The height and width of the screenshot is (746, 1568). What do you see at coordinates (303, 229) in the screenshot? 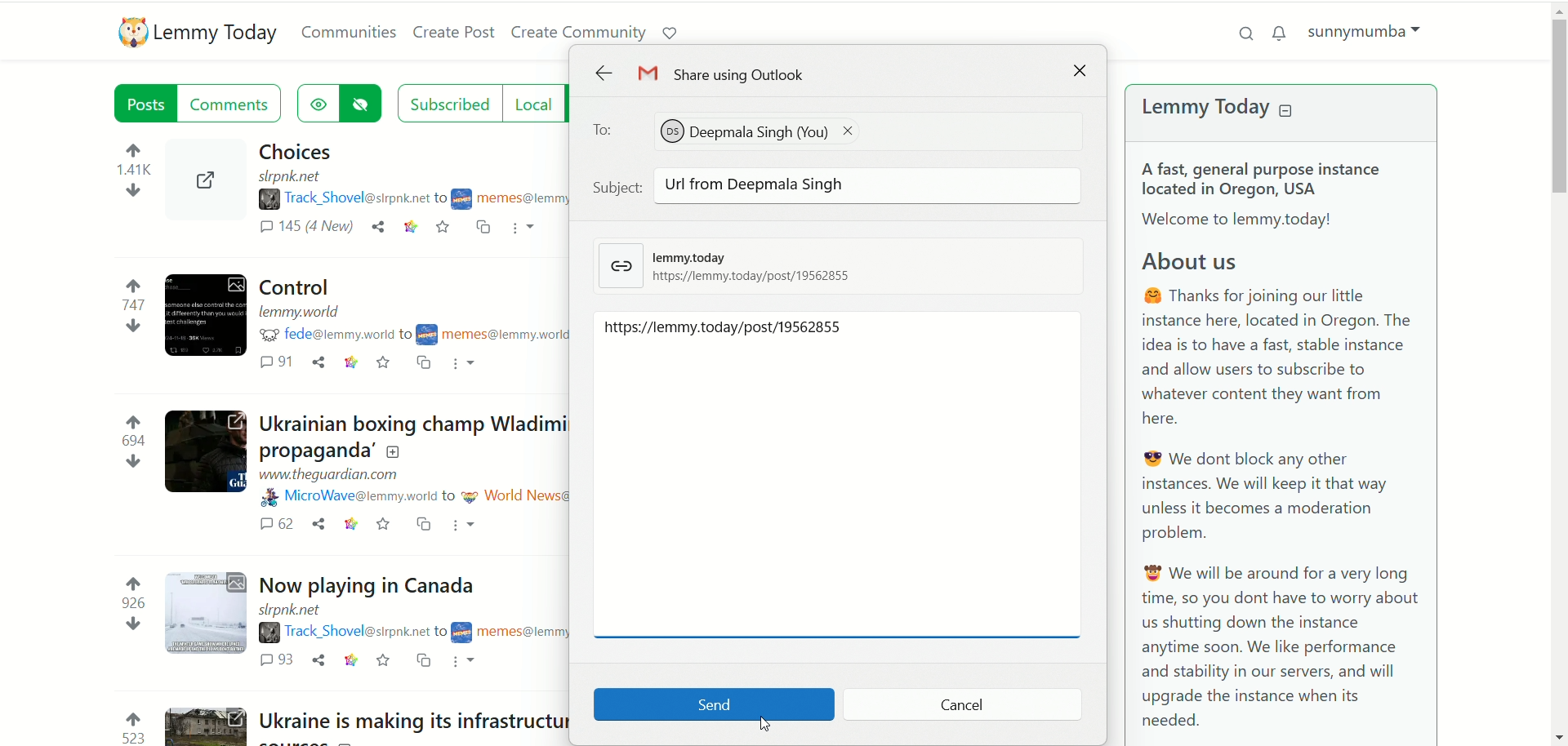
I see `comments` at bounding box center [303, 229].